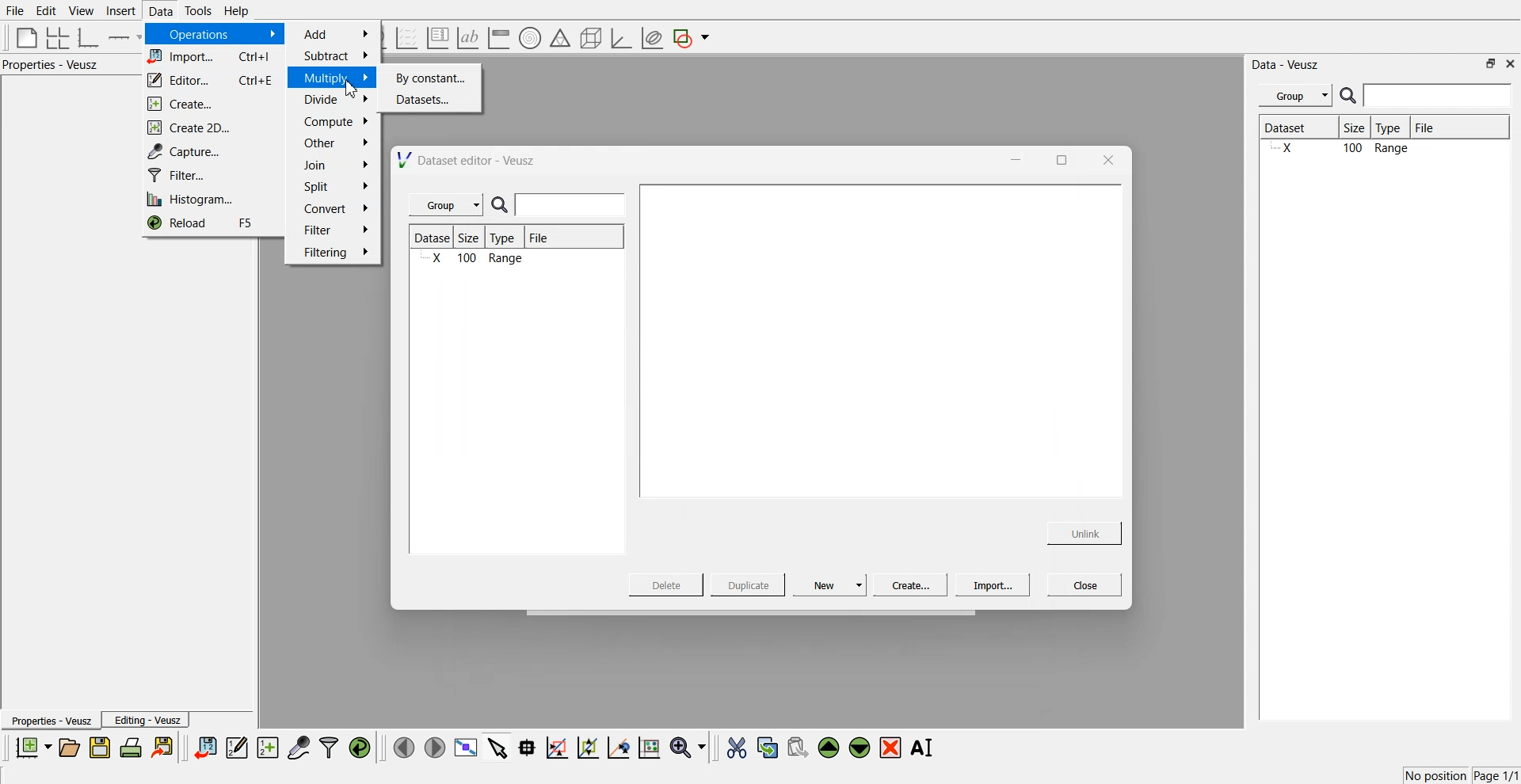  Describe the element at coordinates (268, 748) in the screenshot. I see `create new datasets` at that location.